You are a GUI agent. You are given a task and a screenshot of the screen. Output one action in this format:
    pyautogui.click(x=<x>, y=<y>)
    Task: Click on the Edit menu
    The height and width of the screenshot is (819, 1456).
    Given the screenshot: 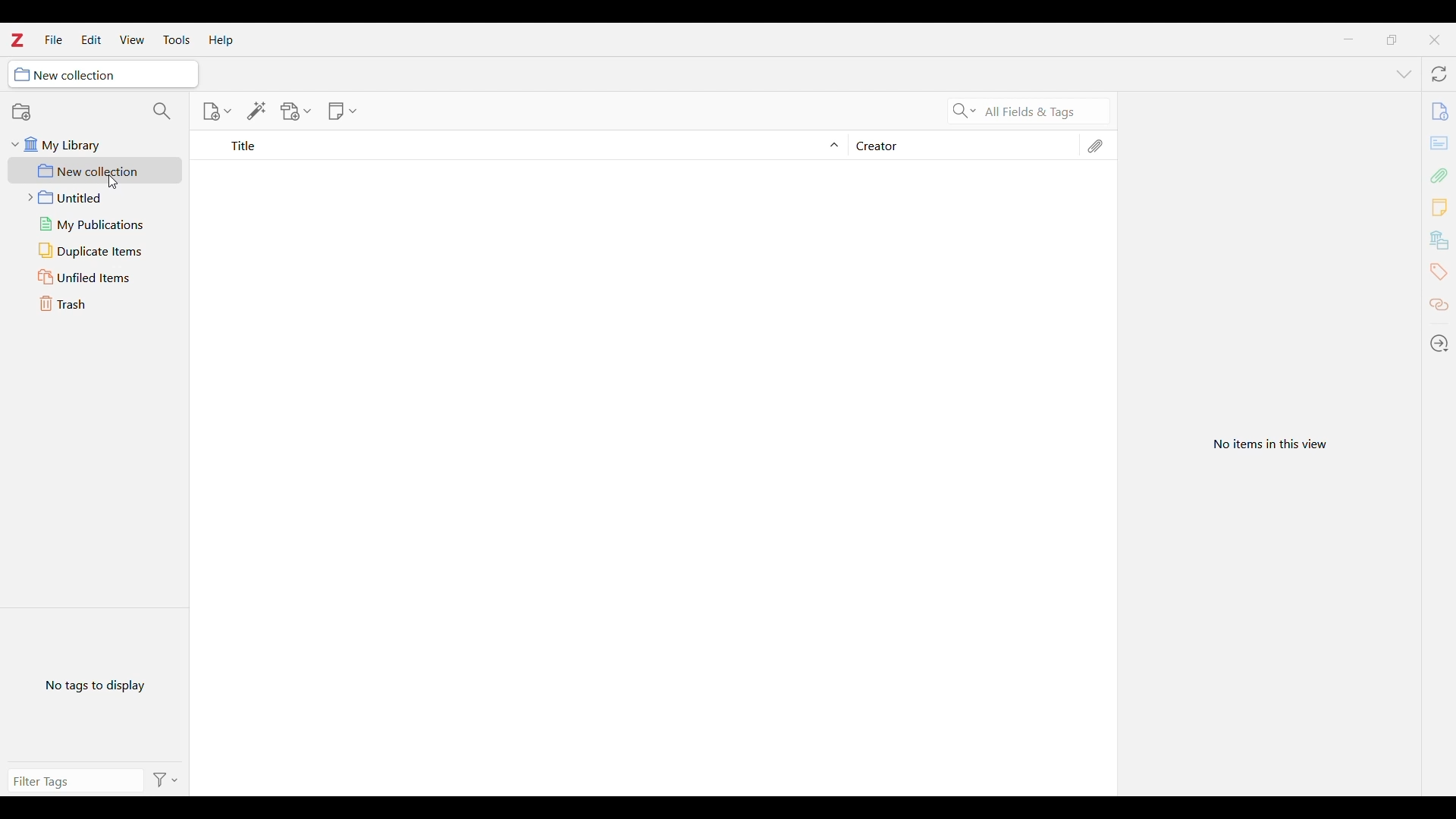 What is the action you would take?
    pyautogui.click(x=92, y=39)
    